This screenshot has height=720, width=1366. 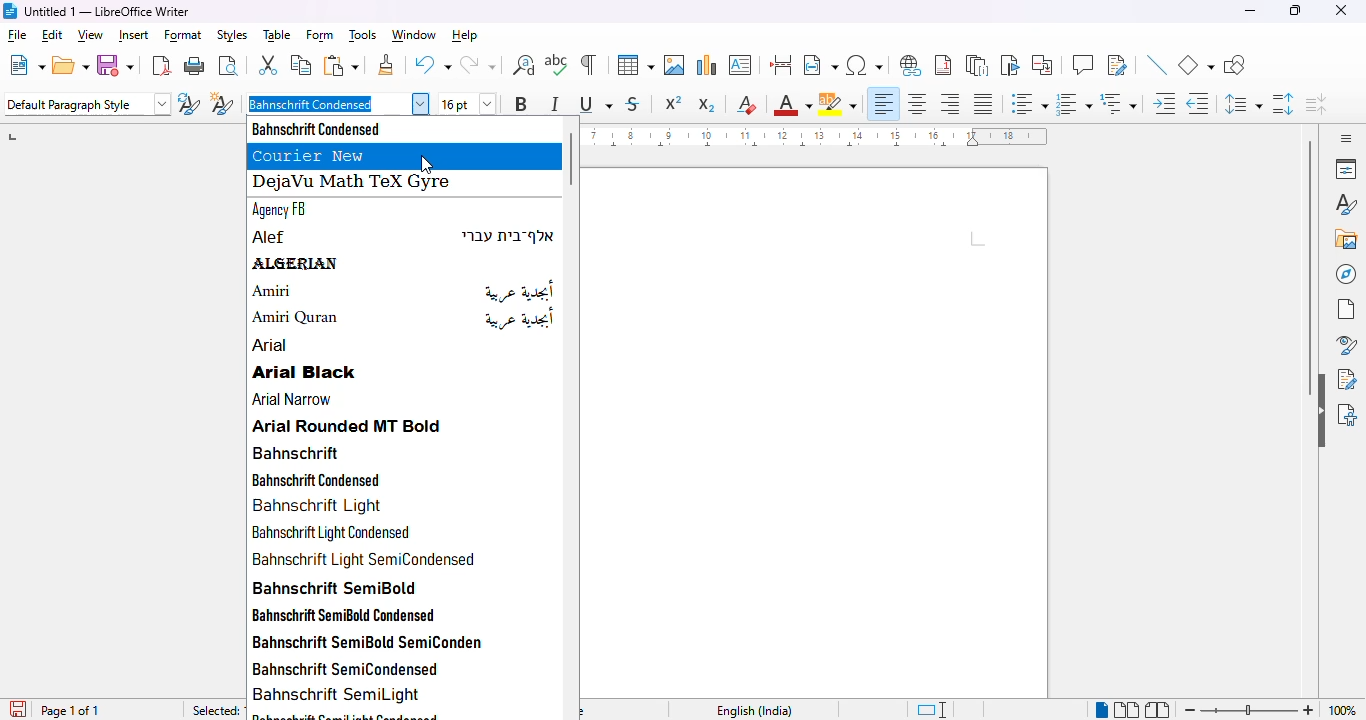 I want to click on insert comment, so click(x=1083, y=65).